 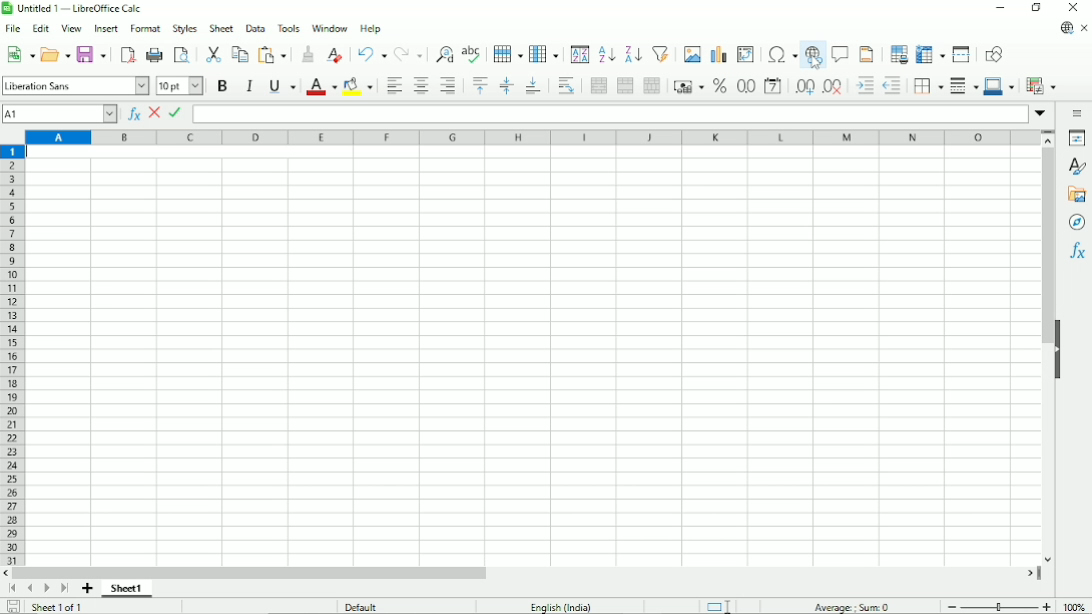 What do you see at coordinates (815, 62) in the screenshot?
I see `Cursor` at bounding box center [815, 62].